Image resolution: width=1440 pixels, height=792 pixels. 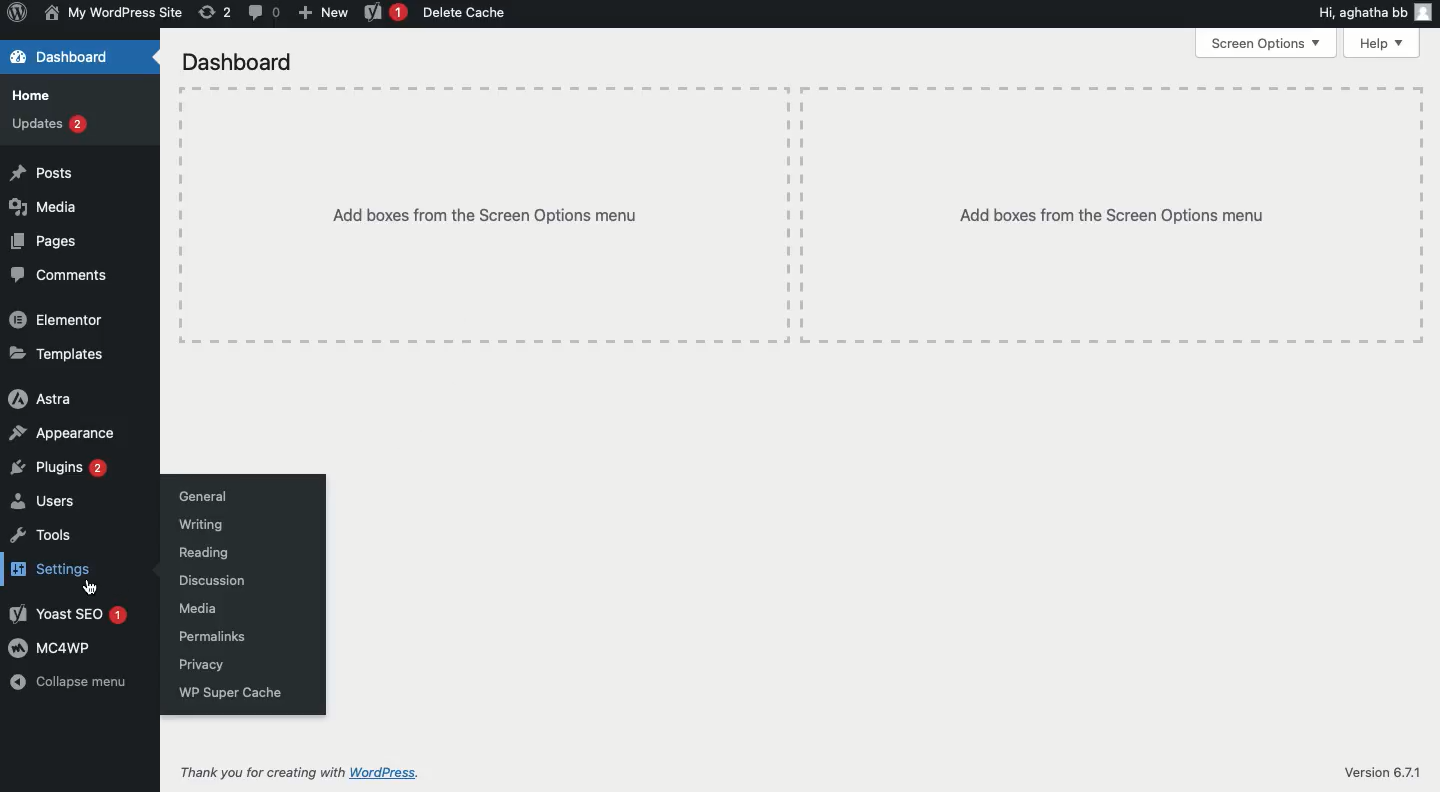 What do you see at coordinates (49, 566) in the screenshot?
I see `Settings` at bounding box center [49, 566].